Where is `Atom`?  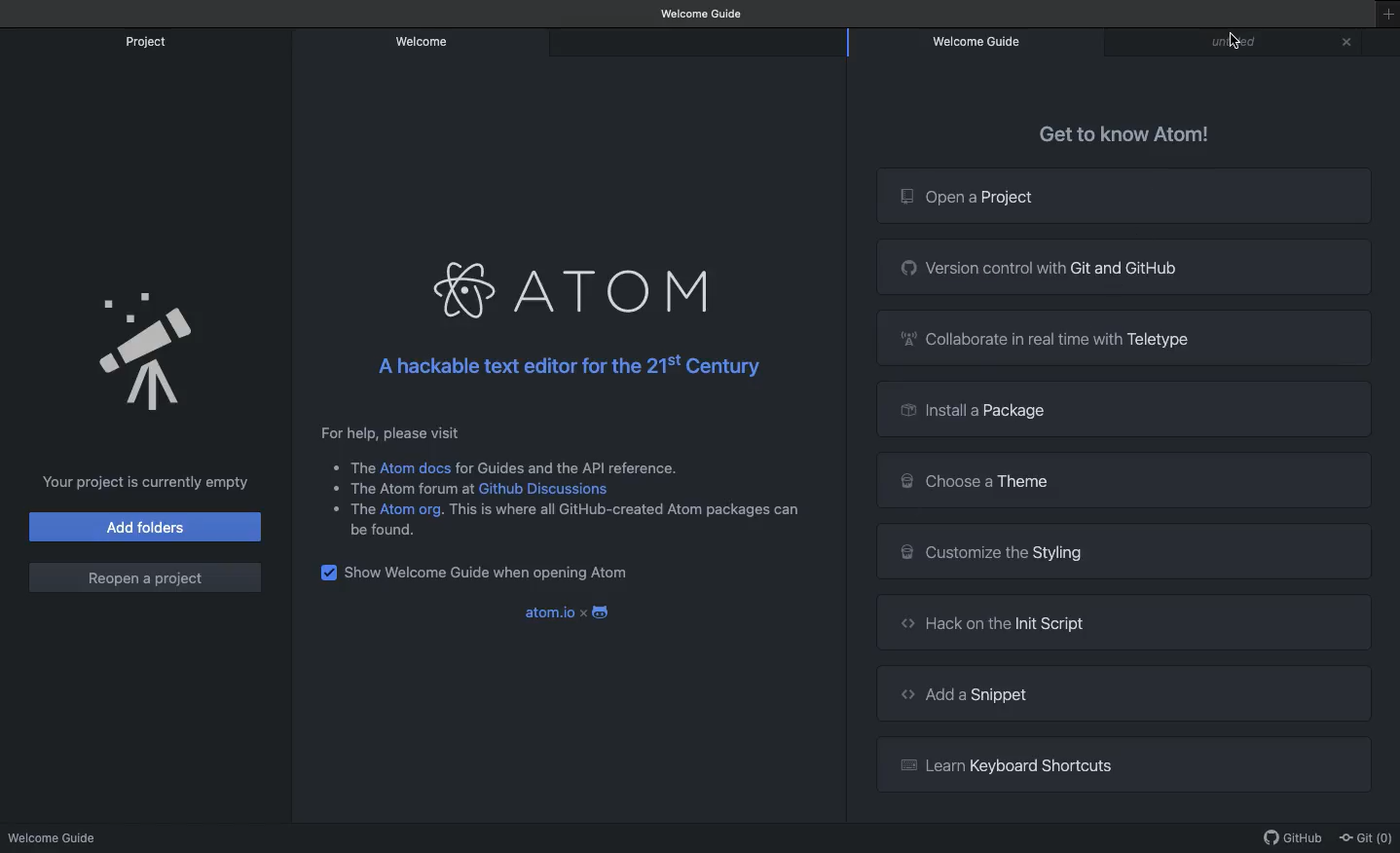 Atom is located at coordinates (570, 290).